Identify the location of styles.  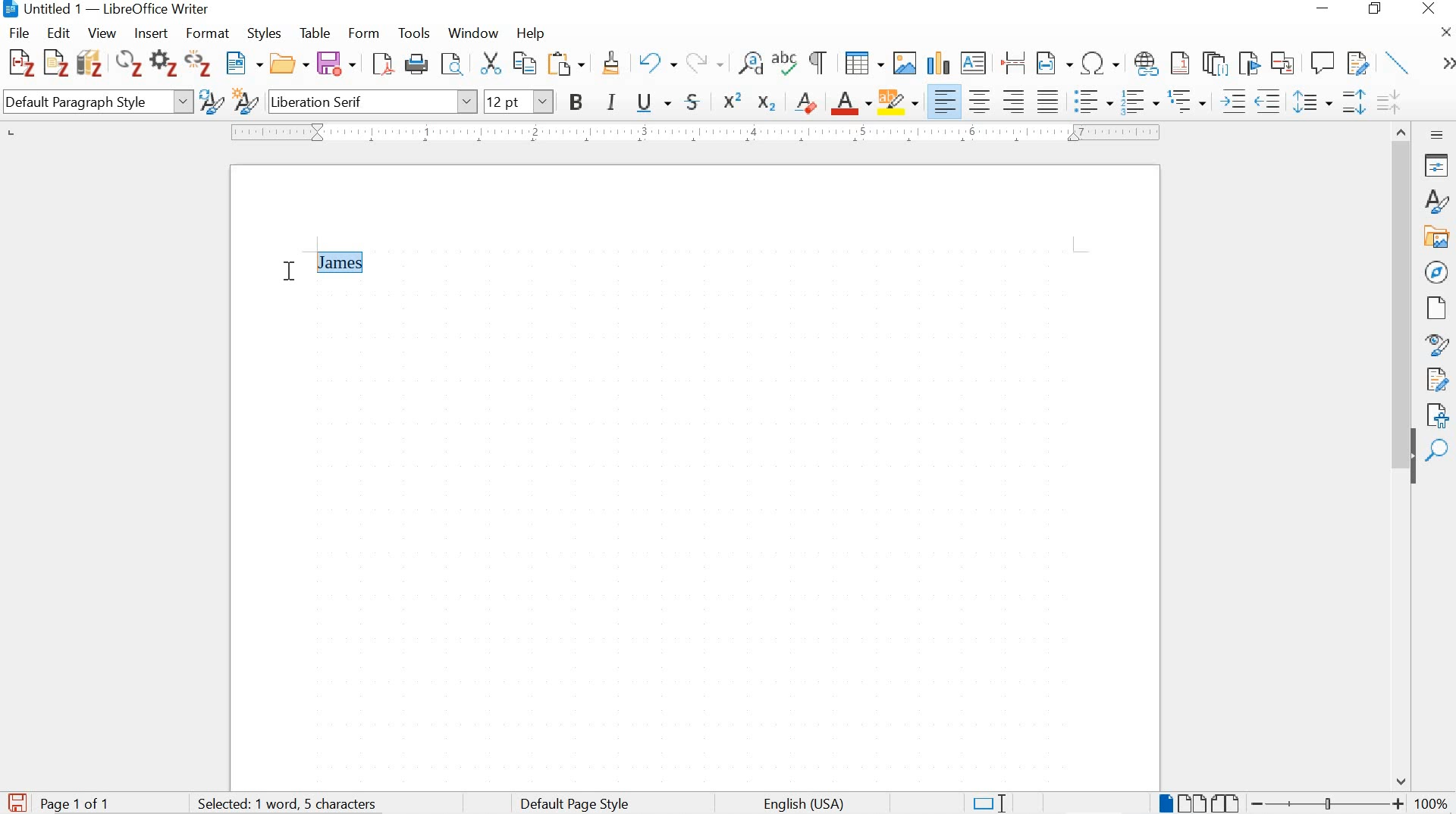
(1435, 201).